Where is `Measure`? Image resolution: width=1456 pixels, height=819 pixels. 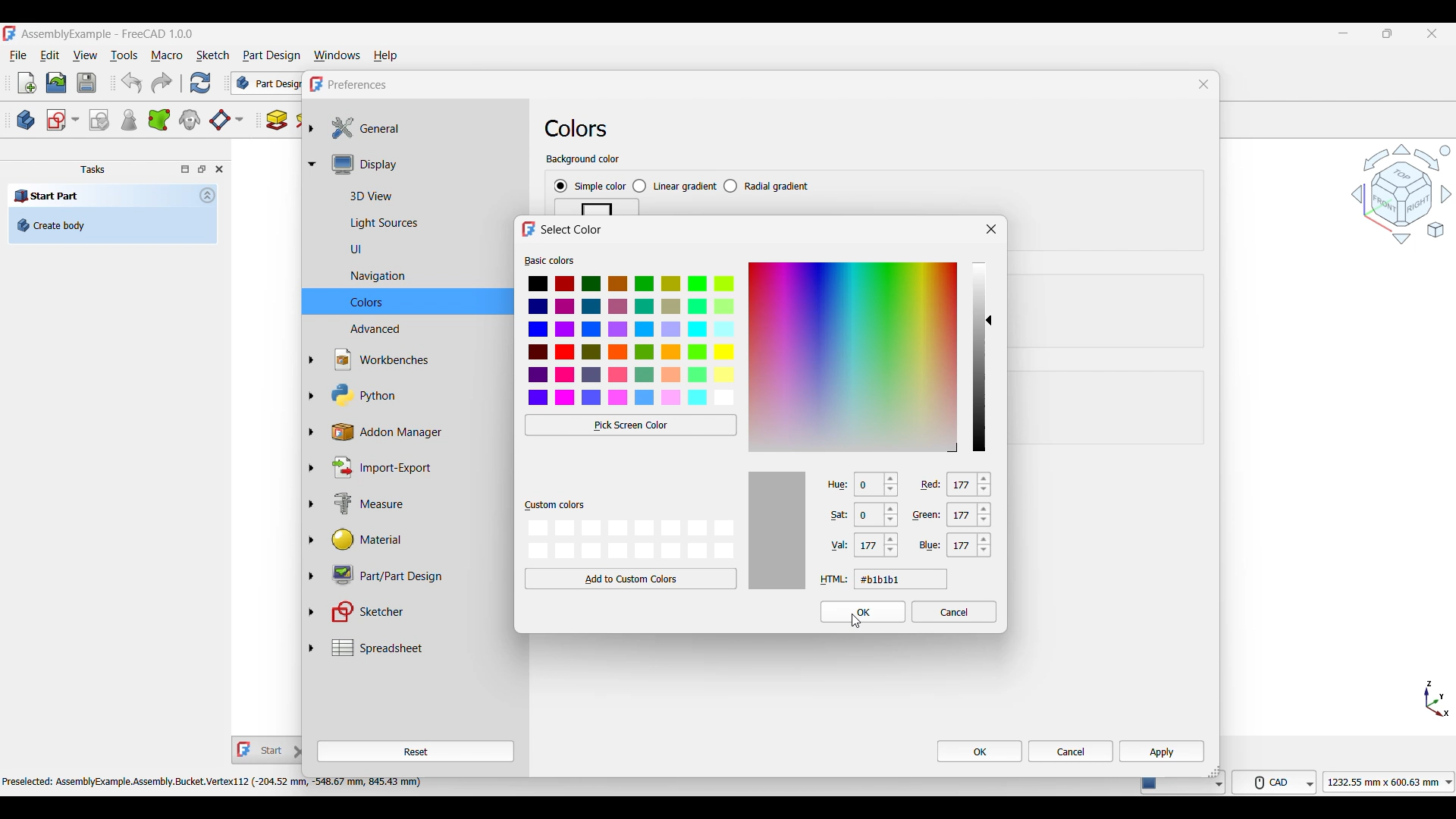 Measure is located at coordinates (416, 505).